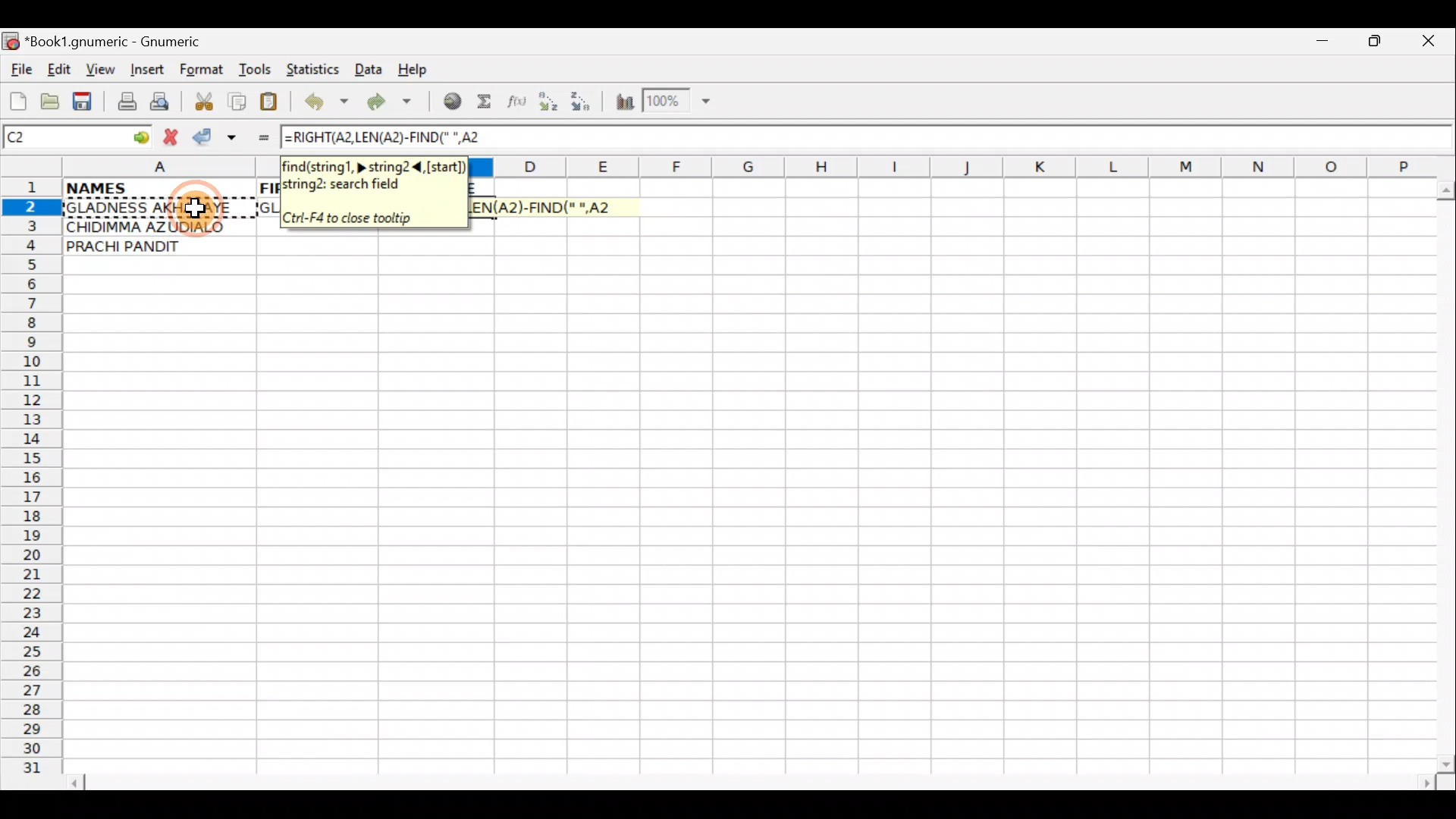  What do you see at coordinates (256, 137) in the screenshot?
I see `Enter formula` at bounding box center [256, 137].